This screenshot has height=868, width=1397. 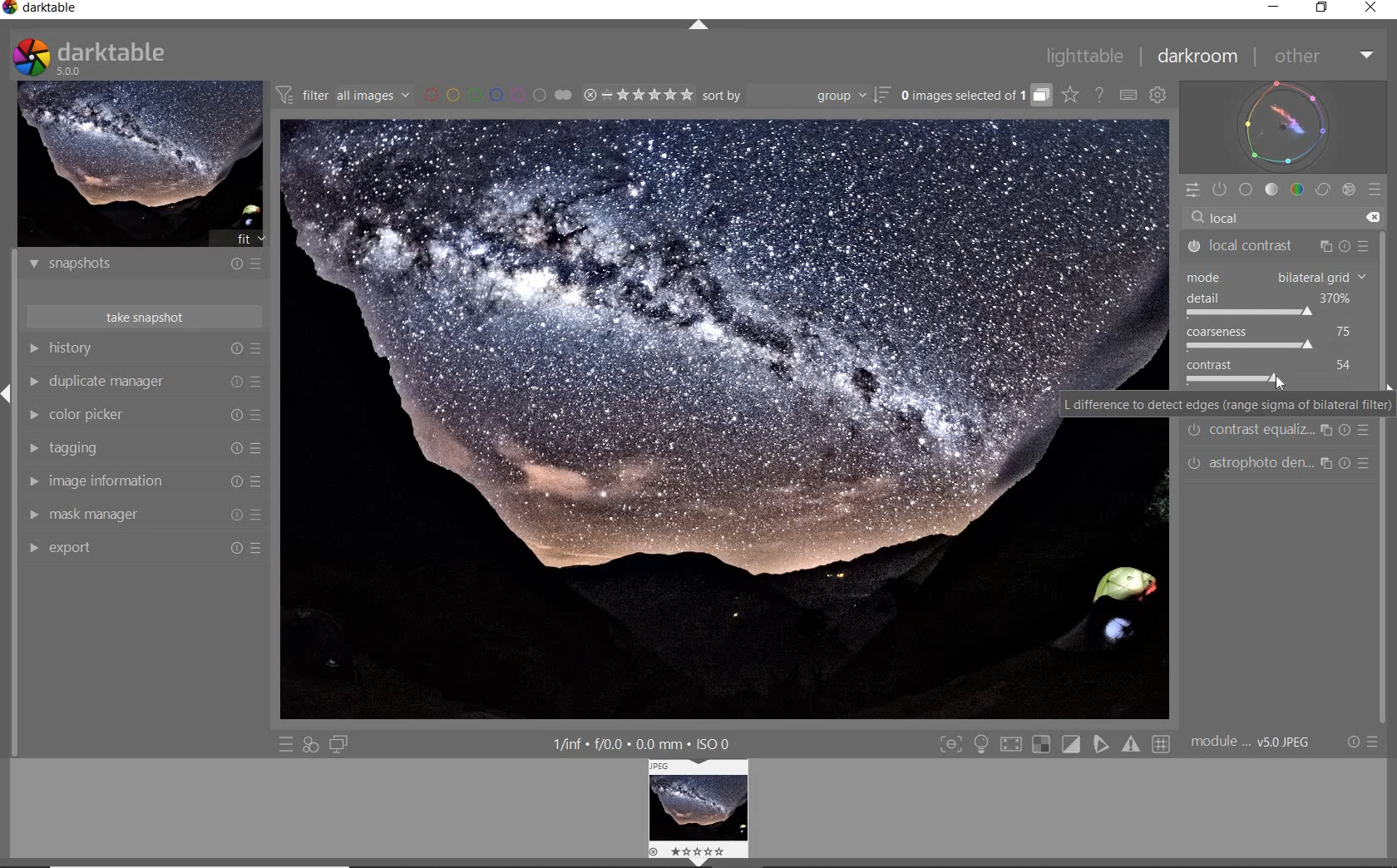 I want to click on multiple instance actions, so click(x=1325, y=429).